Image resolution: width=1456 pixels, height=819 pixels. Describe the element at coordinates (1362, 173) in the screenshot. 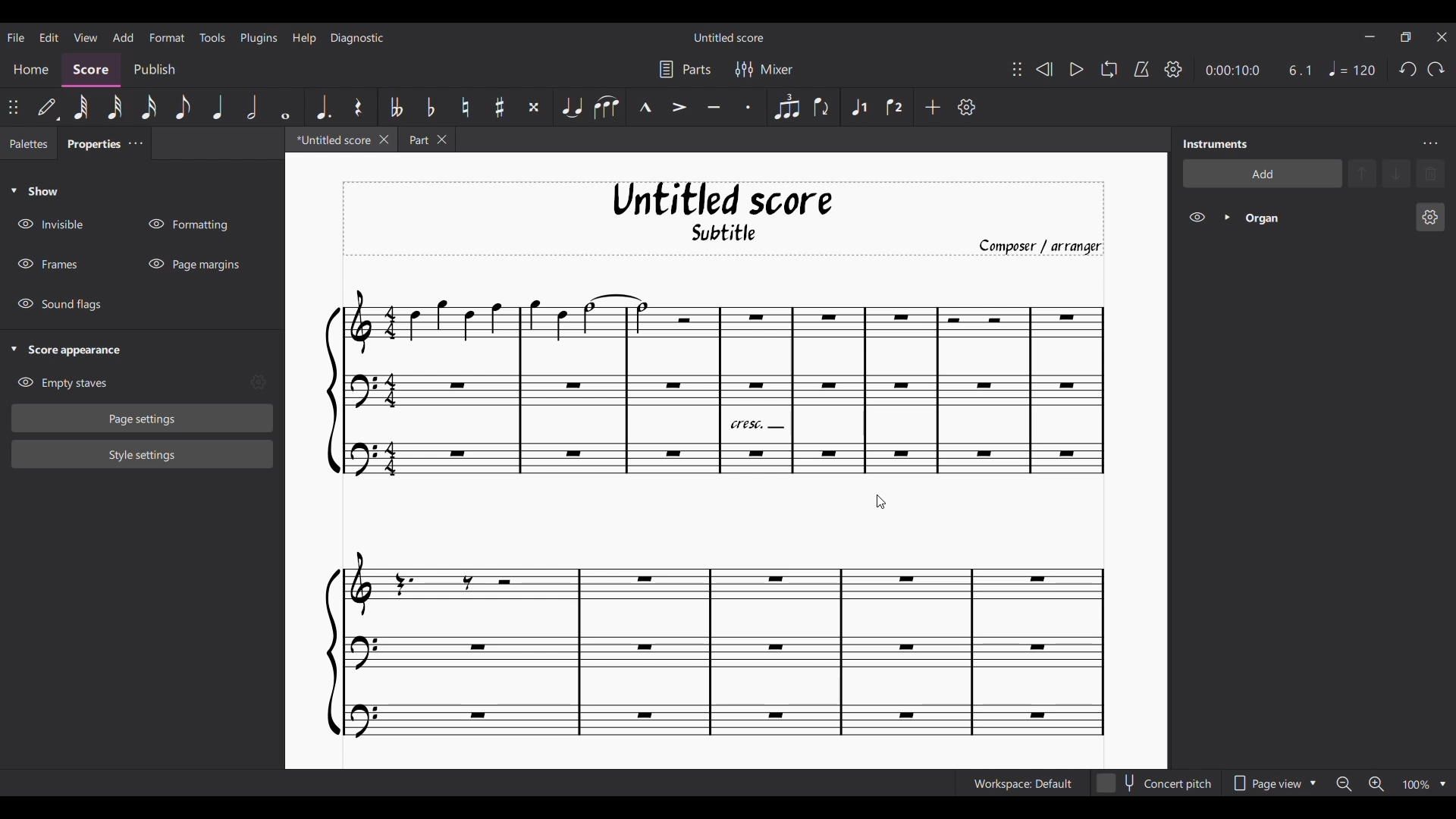

I see `Move selection up` at that location.